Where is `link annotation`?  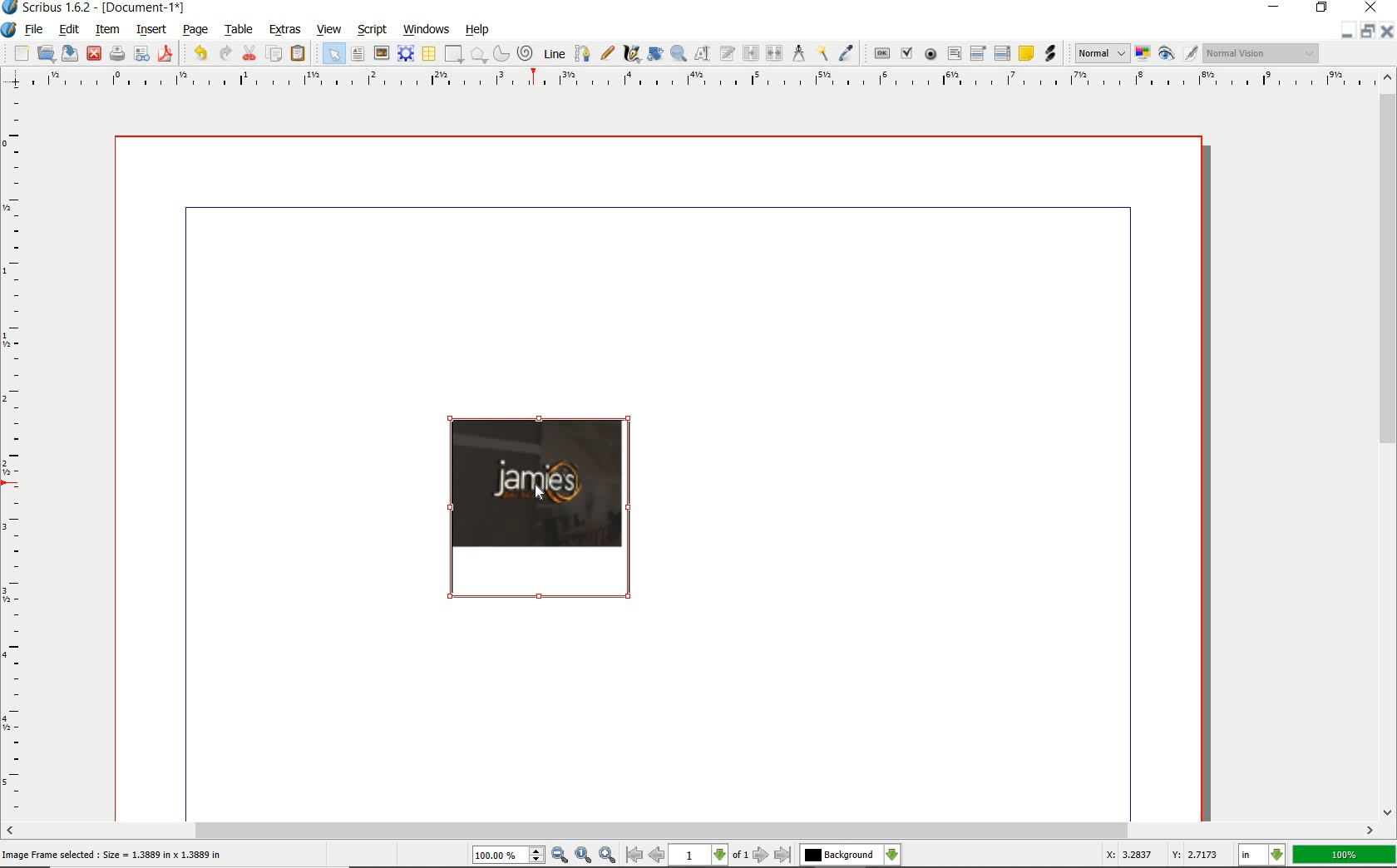 link annotation is located at coordinates (1050, 52).